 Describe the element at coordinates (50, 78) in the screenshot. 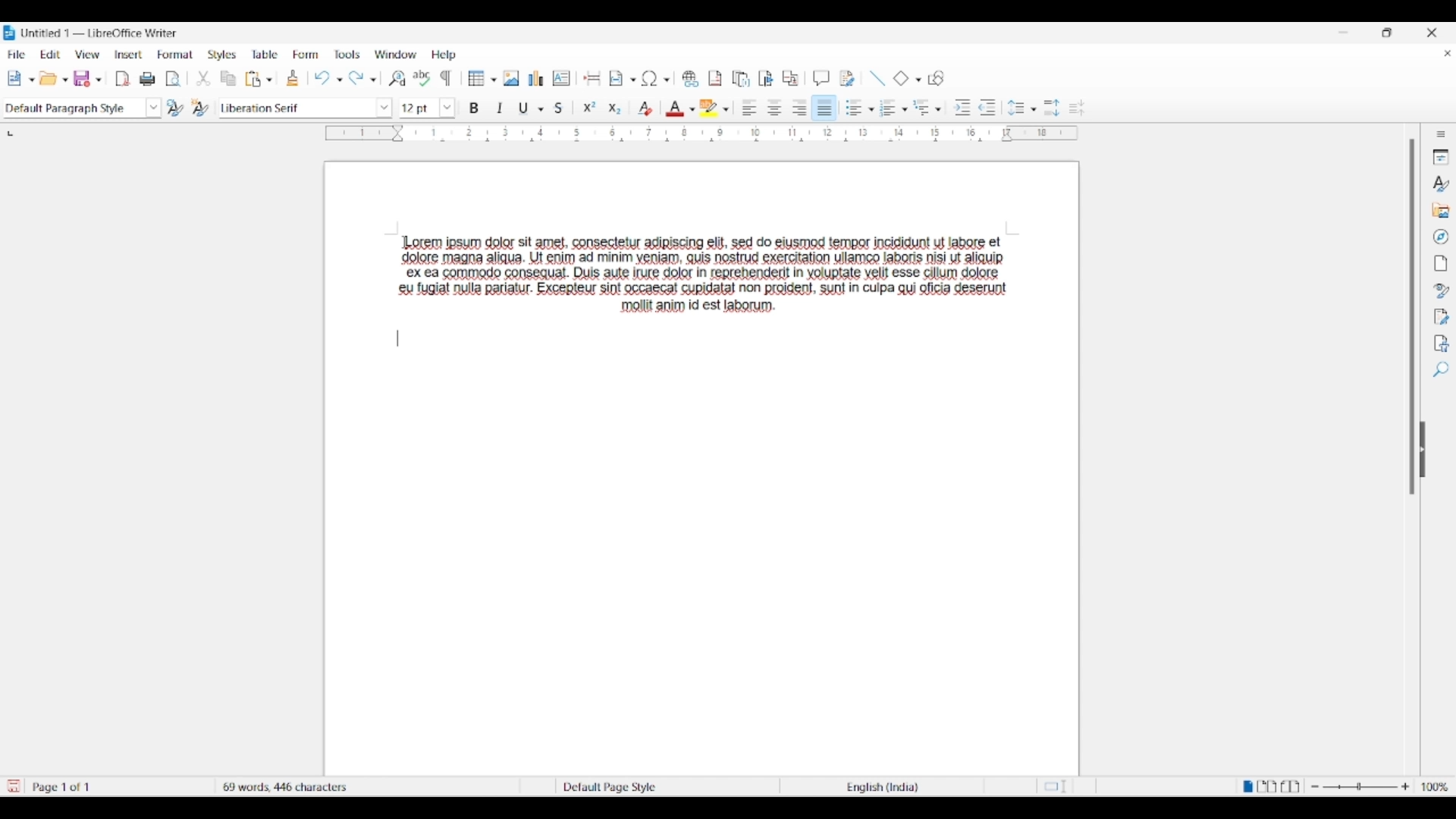

I see `open saved document` at that location.